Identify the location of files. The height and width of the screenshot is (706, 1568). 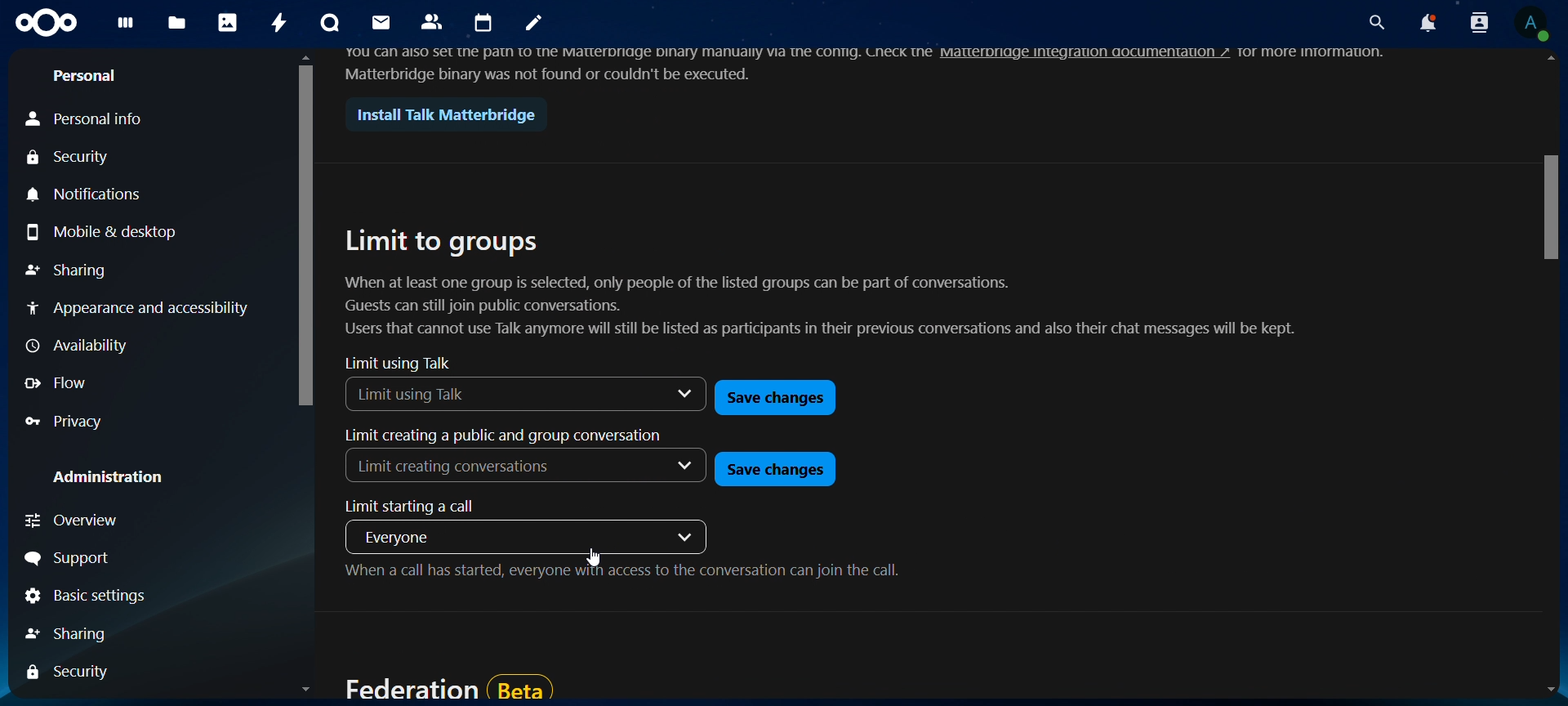
(178, 23).